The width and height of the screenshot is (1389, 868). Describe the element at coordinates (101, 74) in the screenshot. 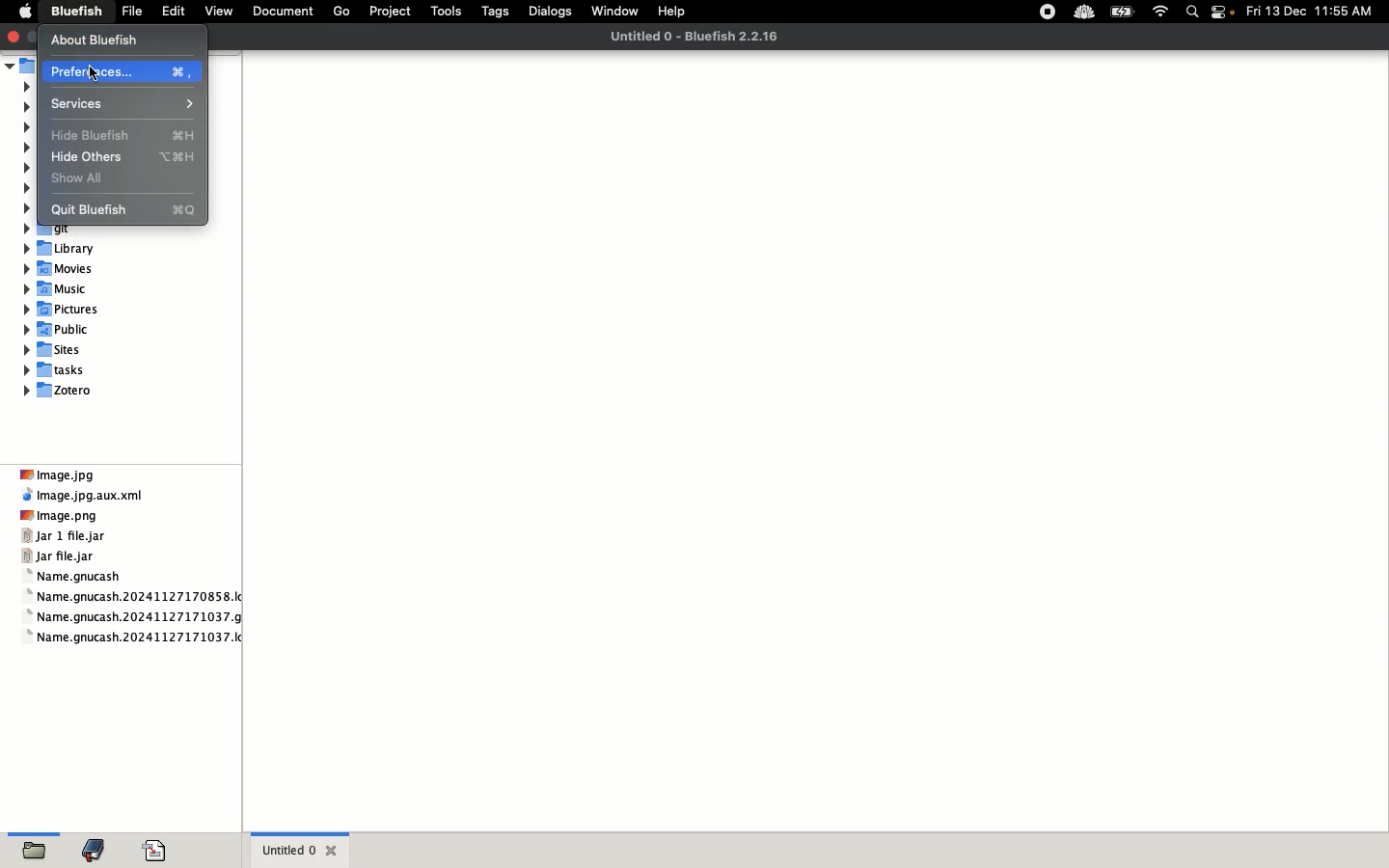

I see `Click` at that location.